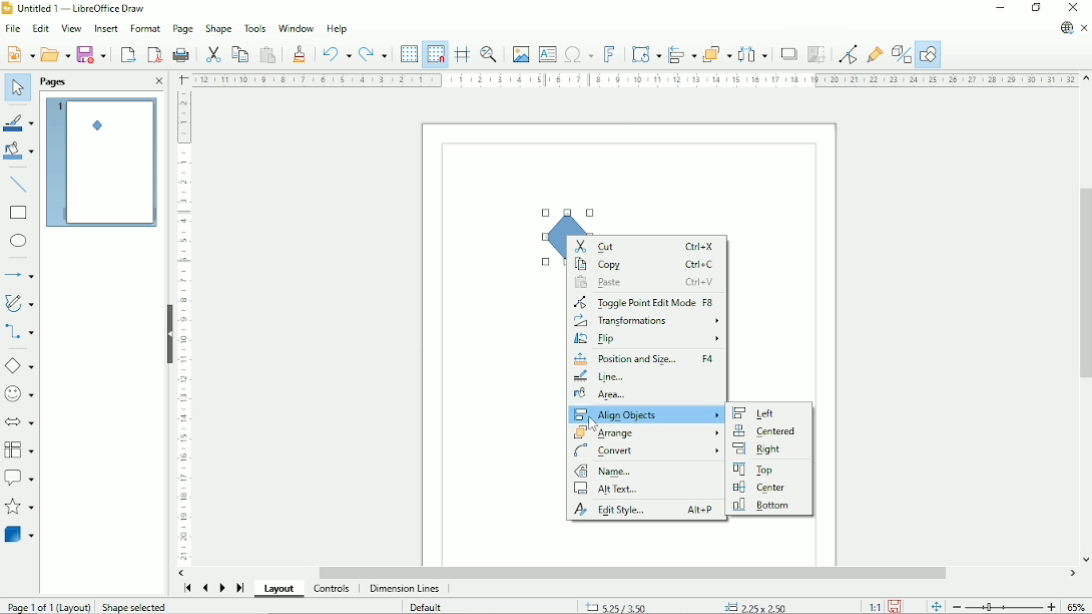  What do you see at coordinates (375, 53) in the screenshot?
I see `Redo` at bounding box center [375, 53].